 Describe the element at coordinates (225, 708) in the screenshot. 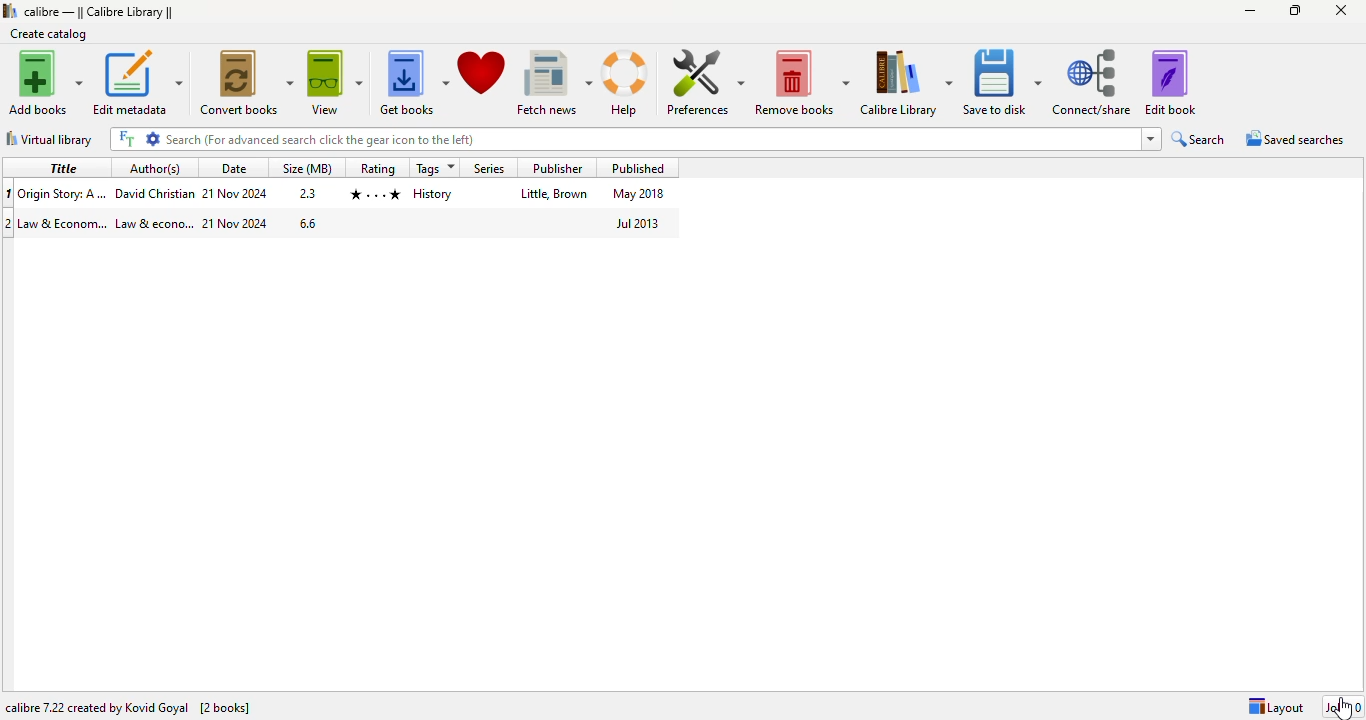

I see `[2 books]` at that location.